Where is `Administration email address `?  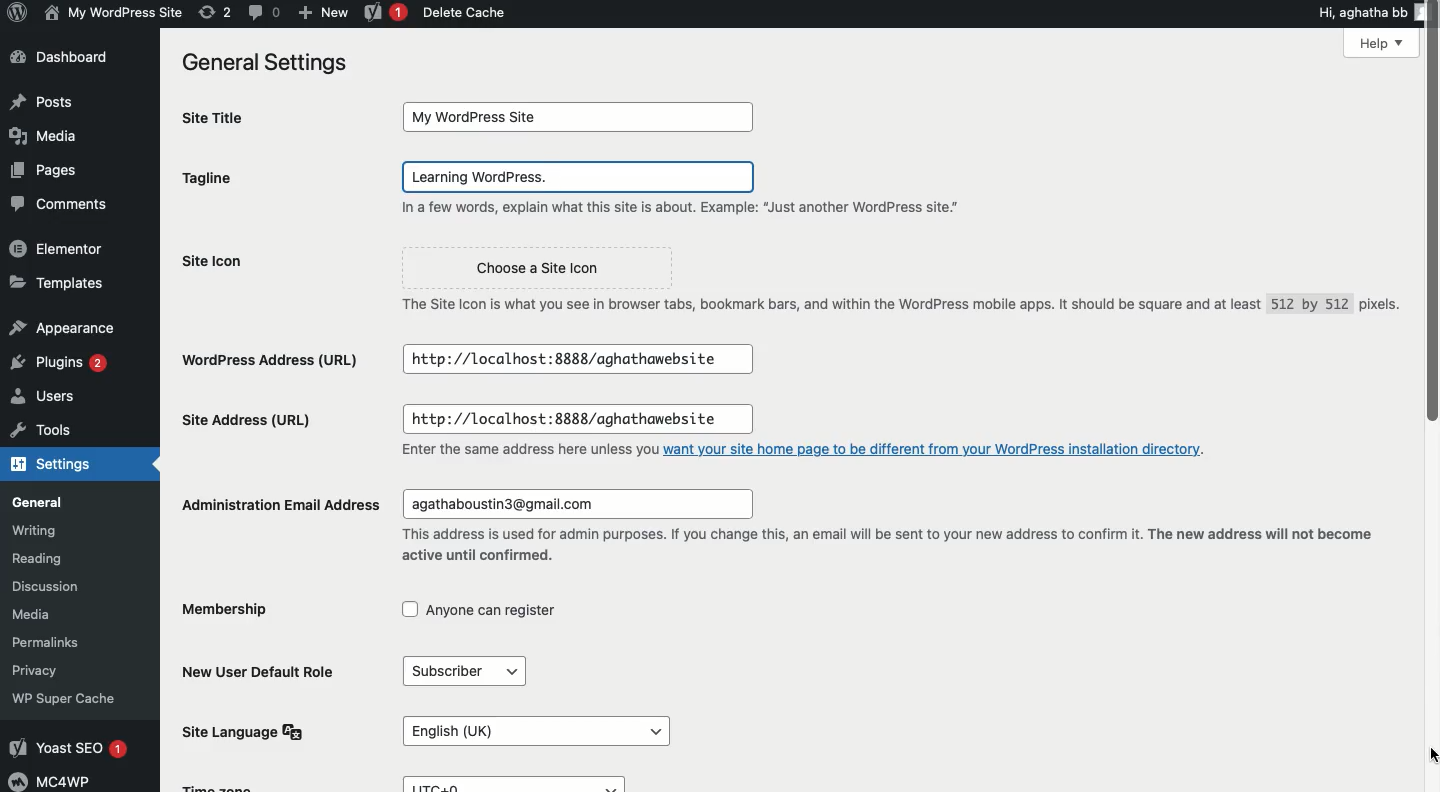 Administration email address  is located at coordinates (272, 503).